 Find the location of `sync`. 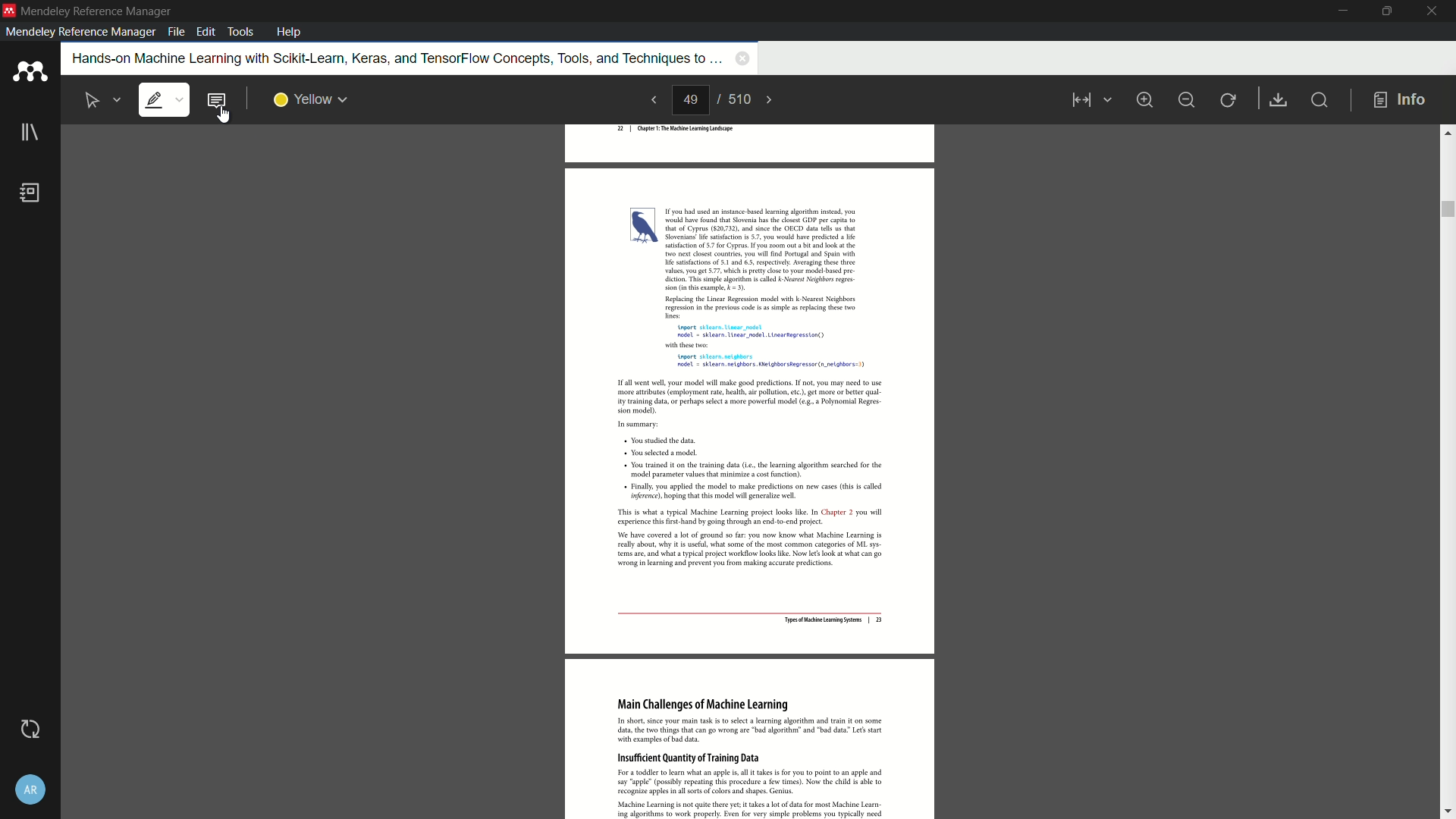

sync is located at coordinates (28, 730).